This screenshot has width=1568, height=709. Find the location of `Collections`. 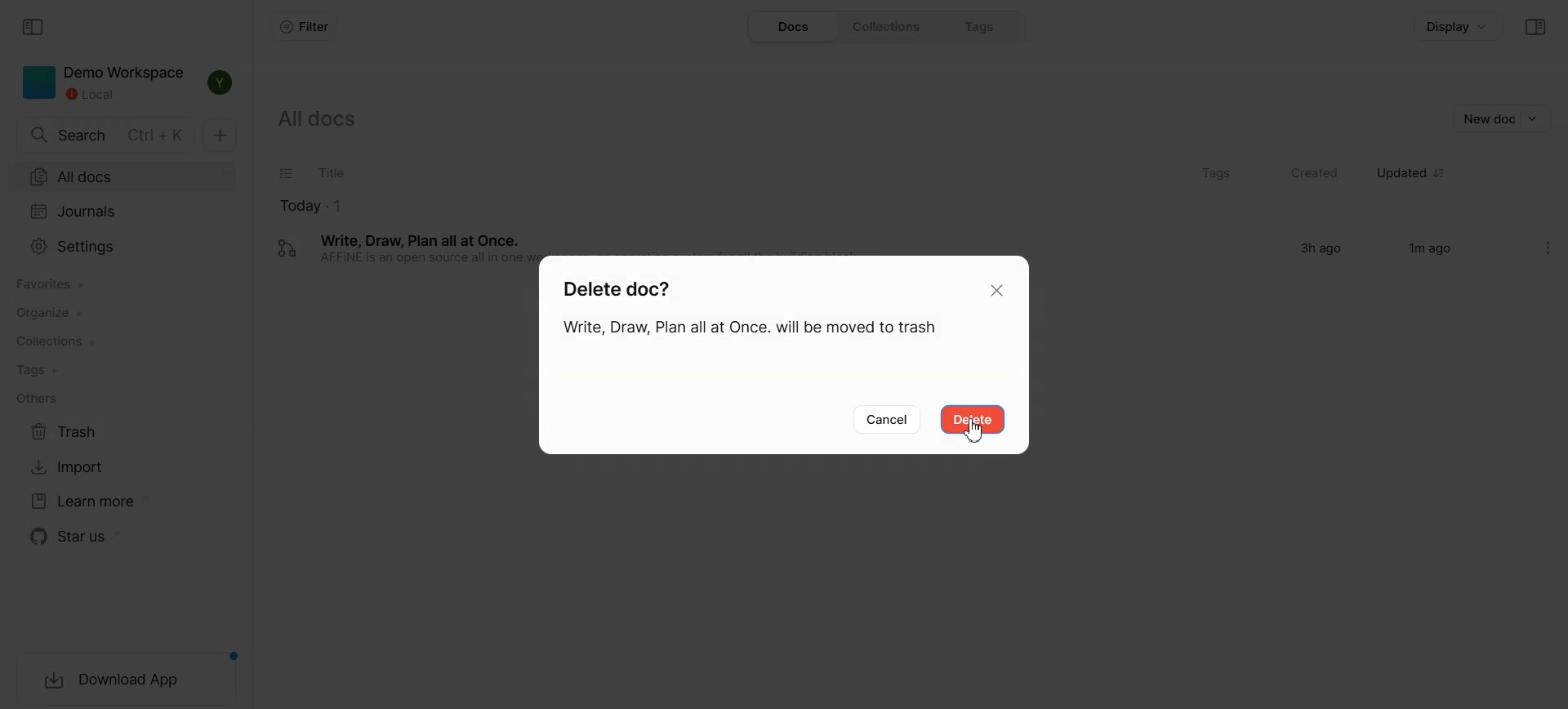

Collections is located at coordinates (891, 26).